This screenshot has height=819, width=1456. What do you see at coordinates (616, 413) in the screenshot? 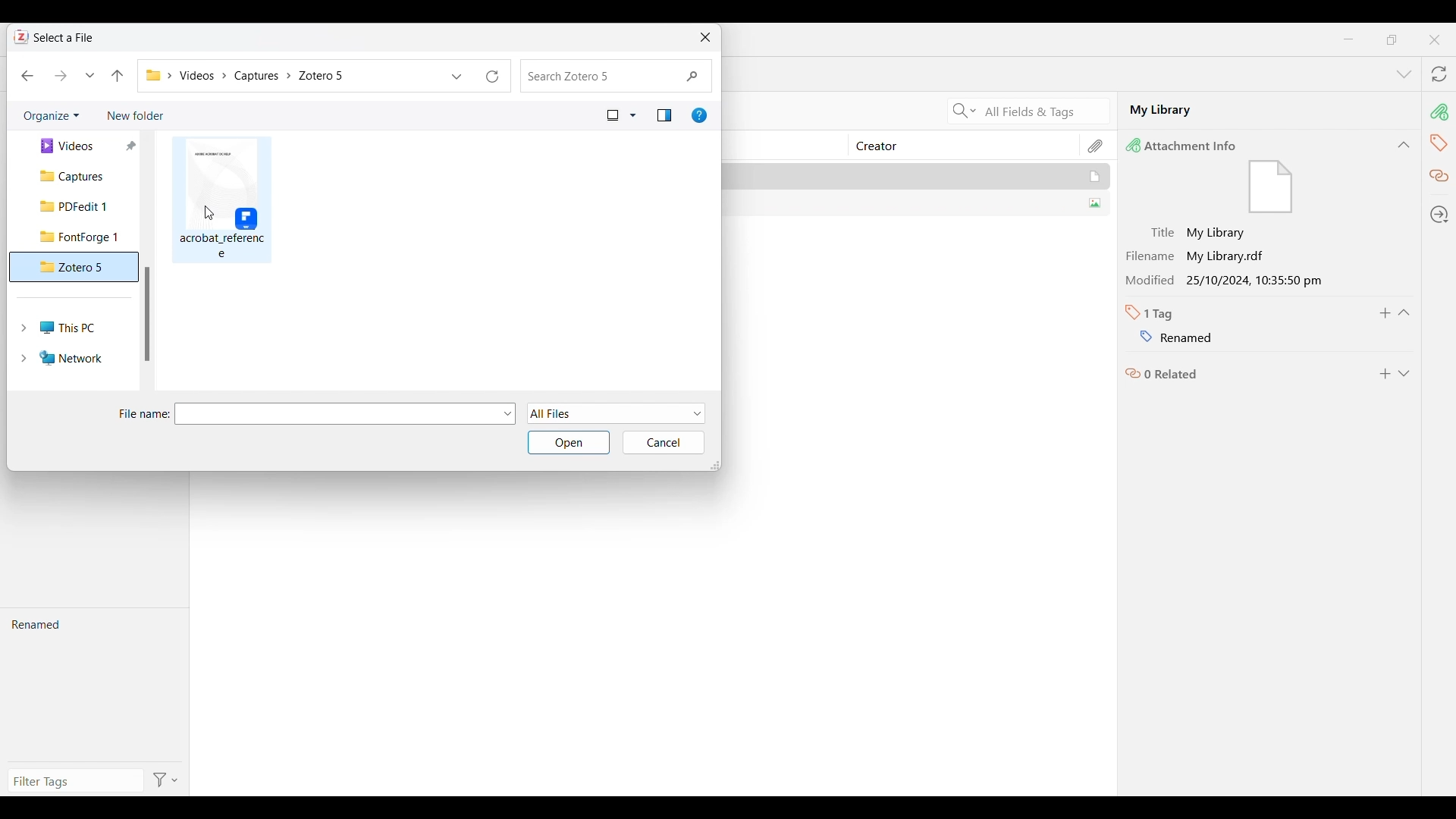
I see `File formats` at bounding box center [616, 413].